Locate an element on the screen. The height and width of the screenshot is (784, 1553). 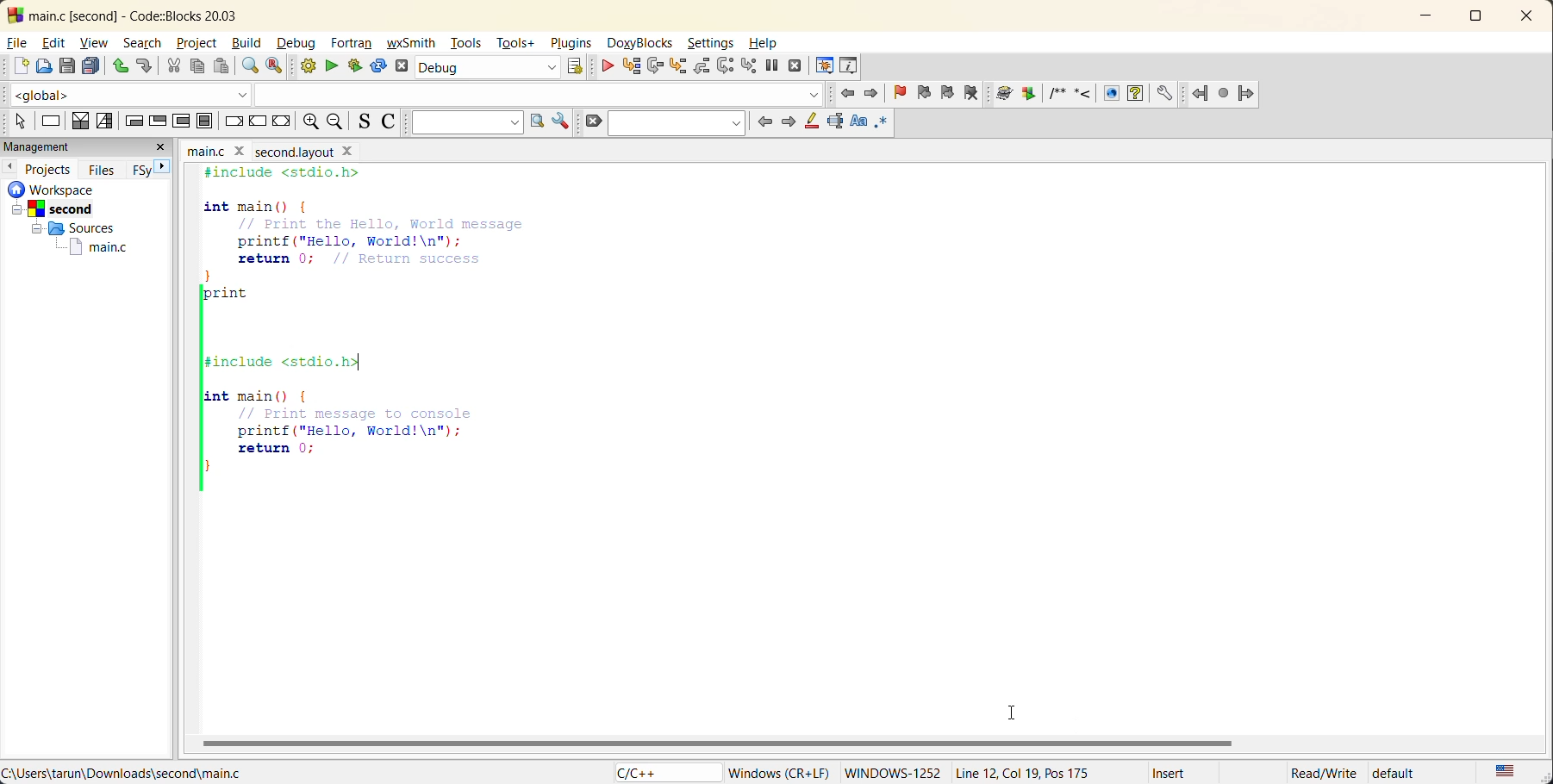
FSy is located at coordinates (140, 173).